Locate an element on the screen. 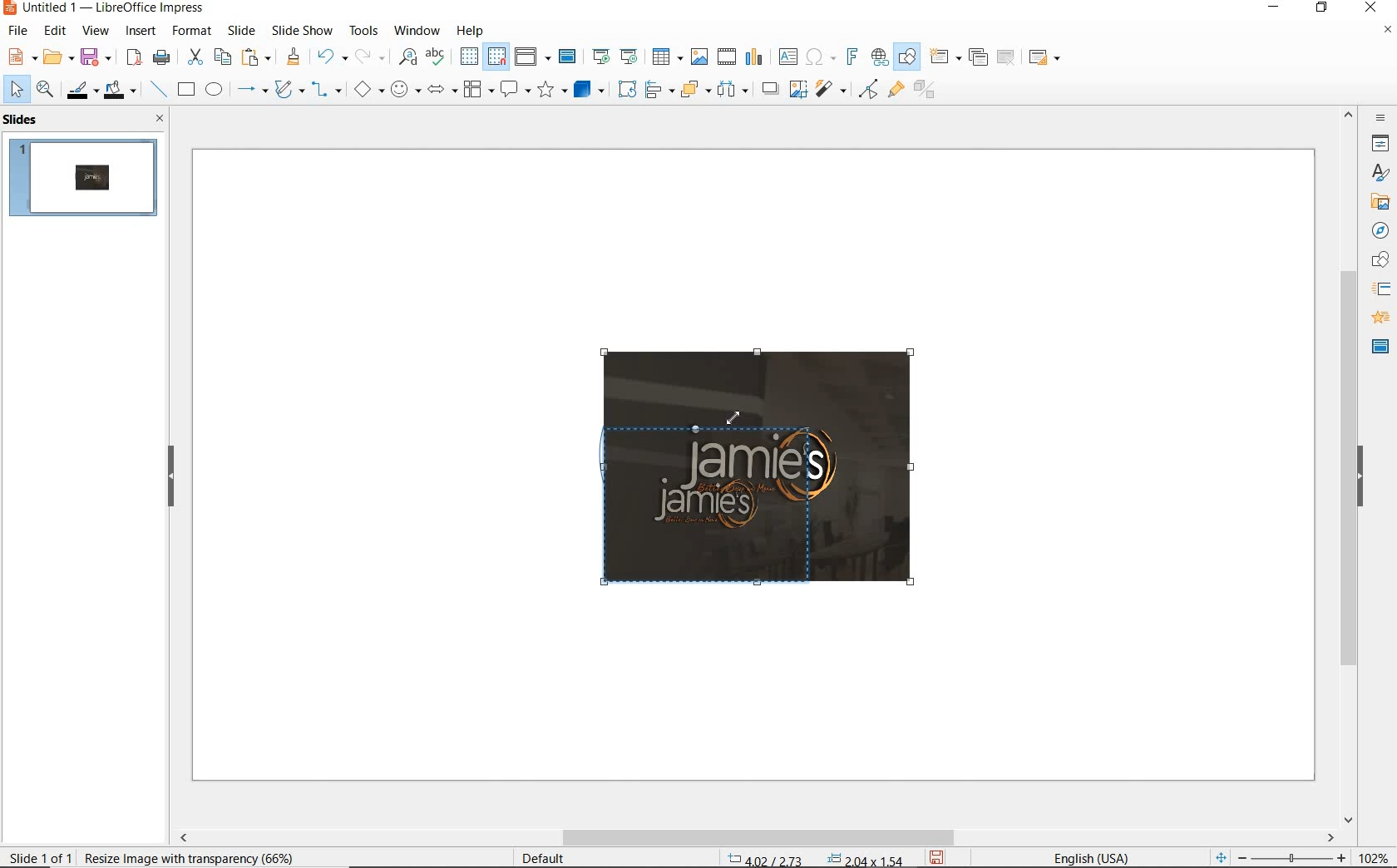 This screenshot has height=868, width=1397. connectors is located at coordinates (327, 91).